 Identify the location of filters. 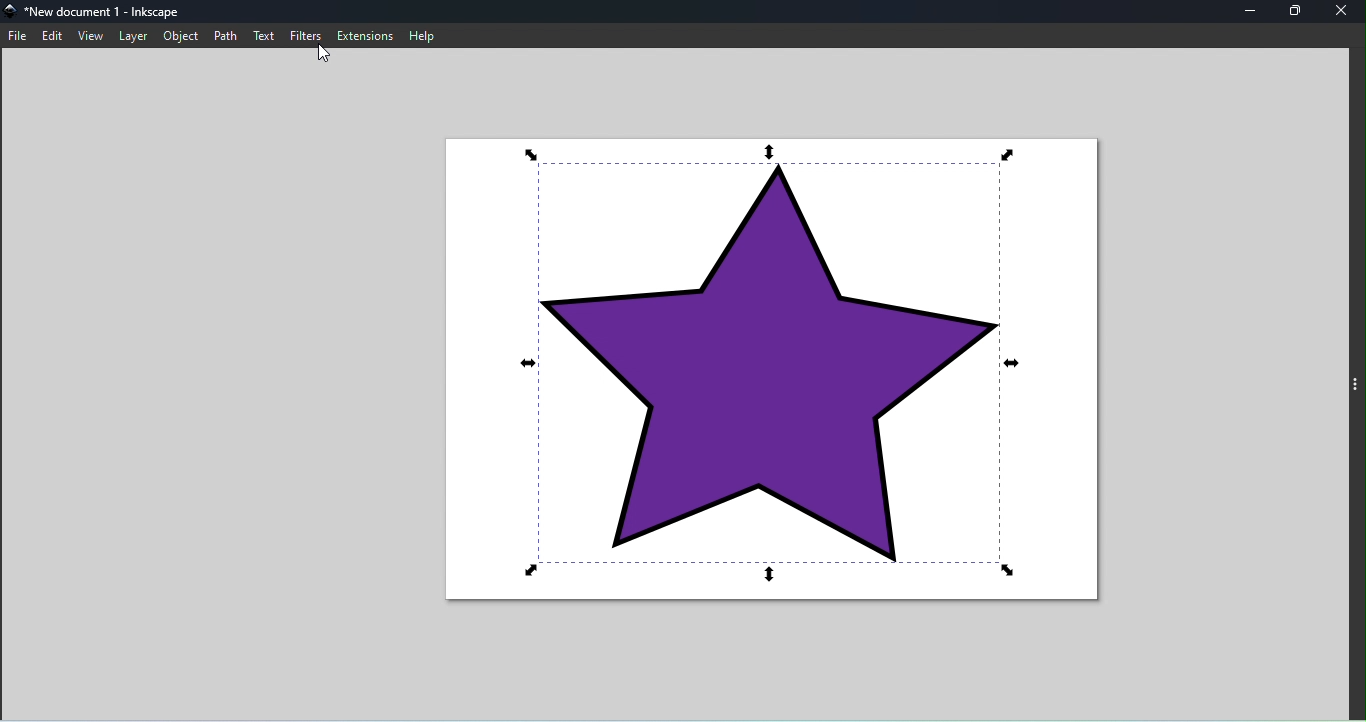
(309, 36).